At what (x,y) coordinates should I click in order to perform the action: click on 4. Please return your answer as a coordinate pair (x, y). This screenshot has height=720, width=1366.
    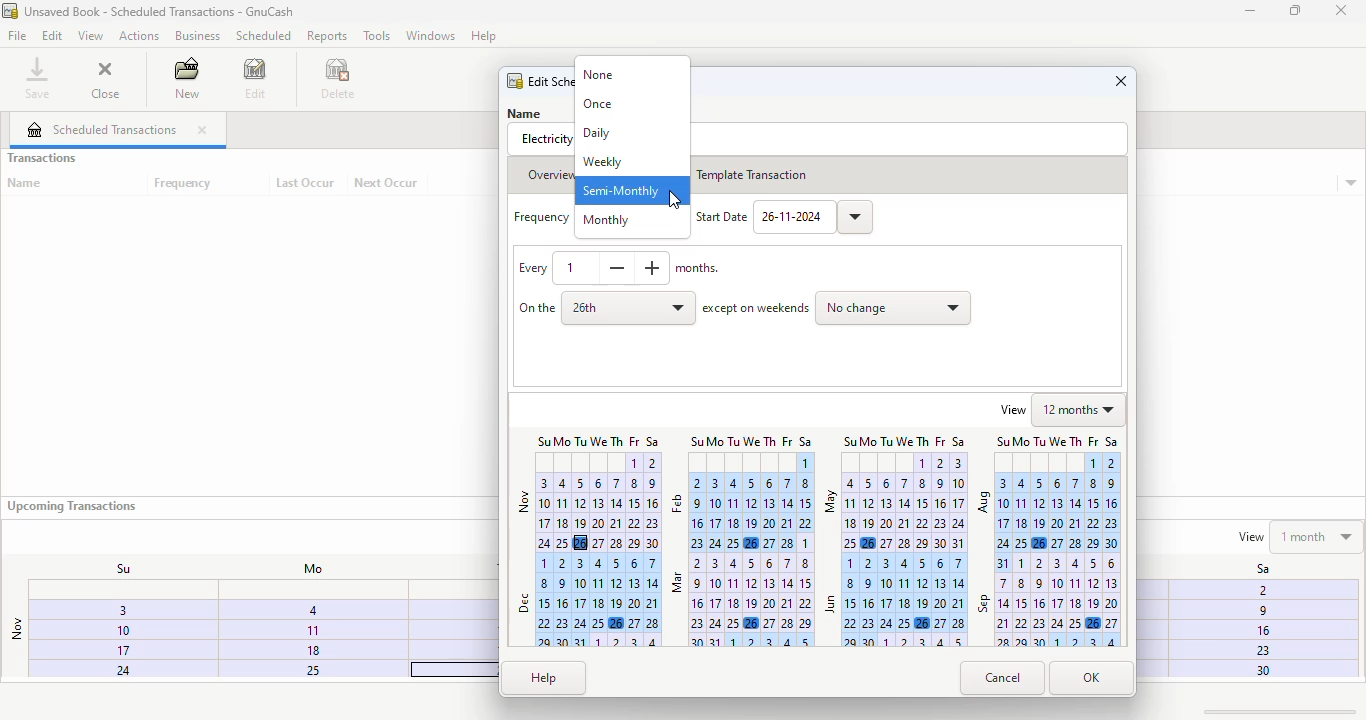
    Looking at the image, I should click on (312, 609).